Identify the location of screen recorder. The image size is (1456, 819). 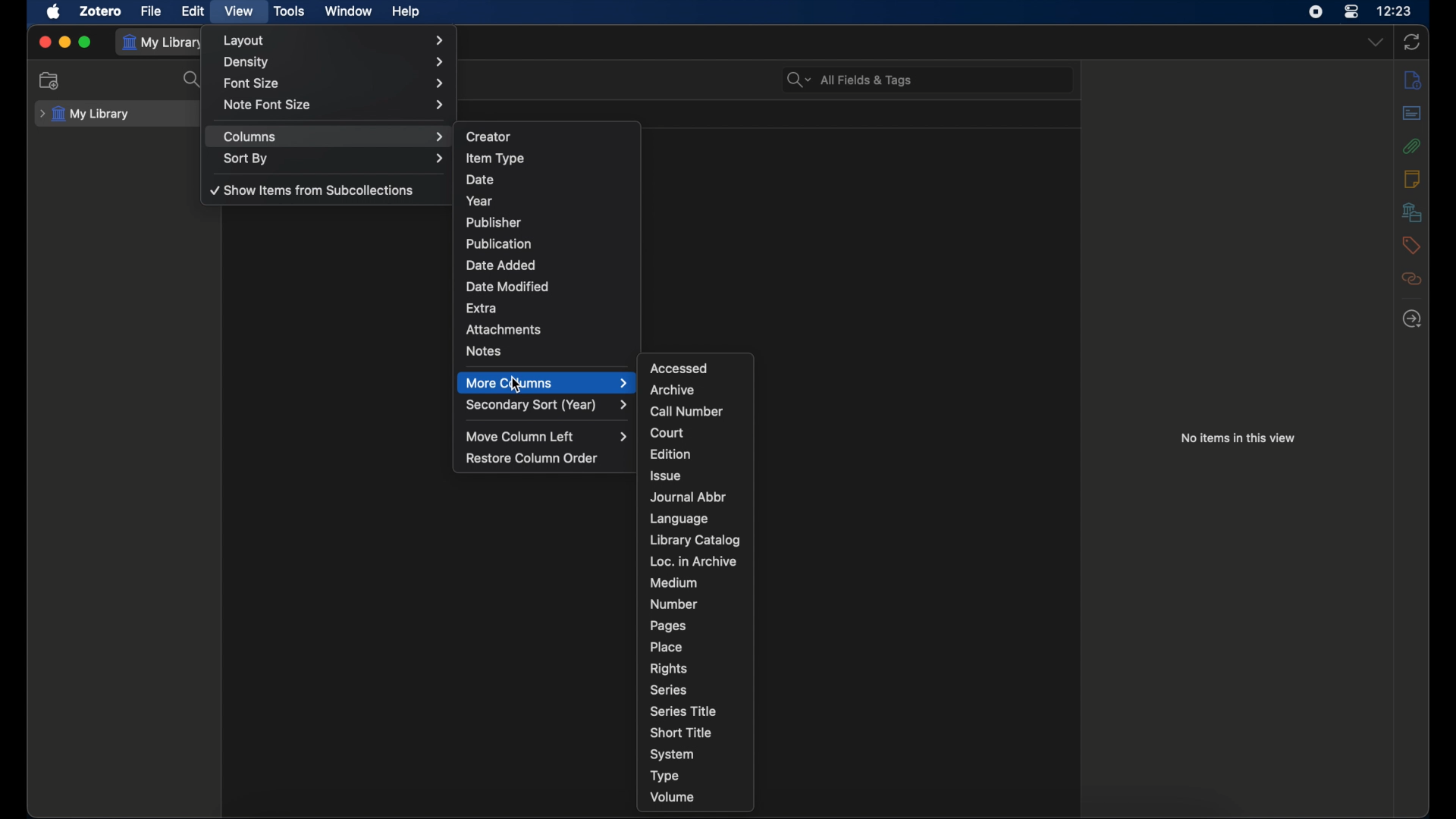
(1316, 12).